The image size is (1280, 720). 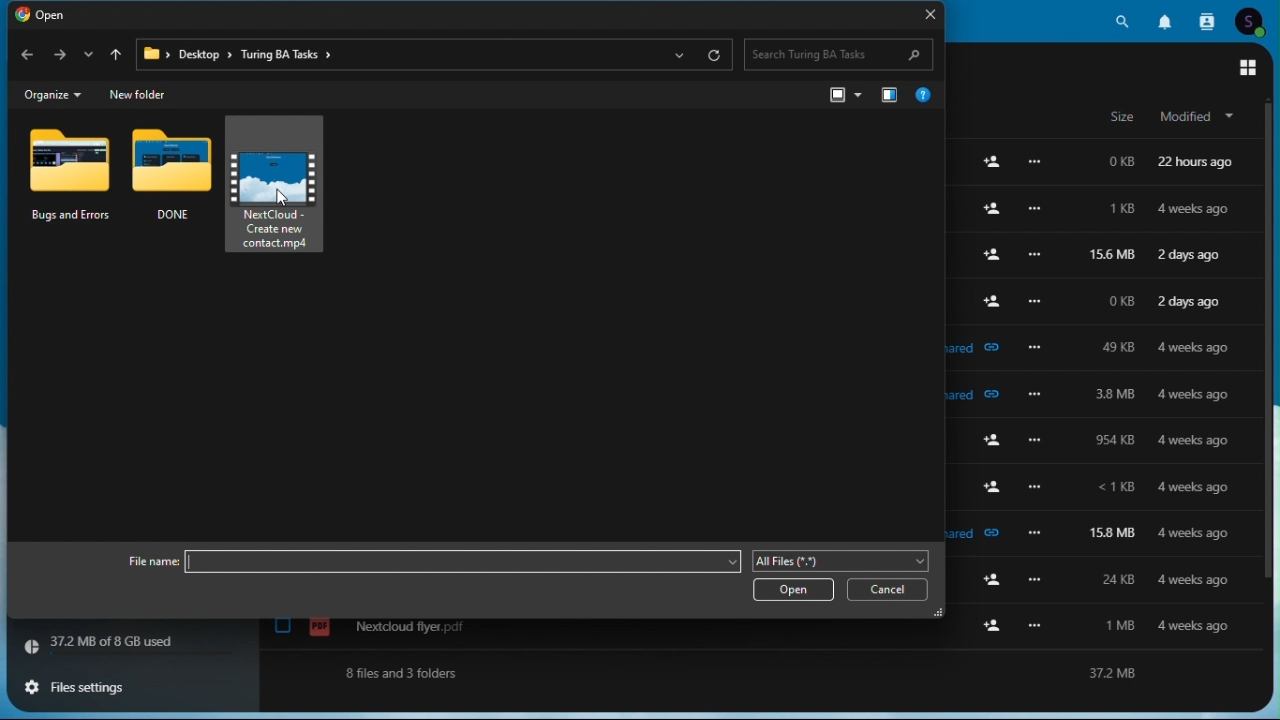 I want to click on add user, so click(x=988, y=254).